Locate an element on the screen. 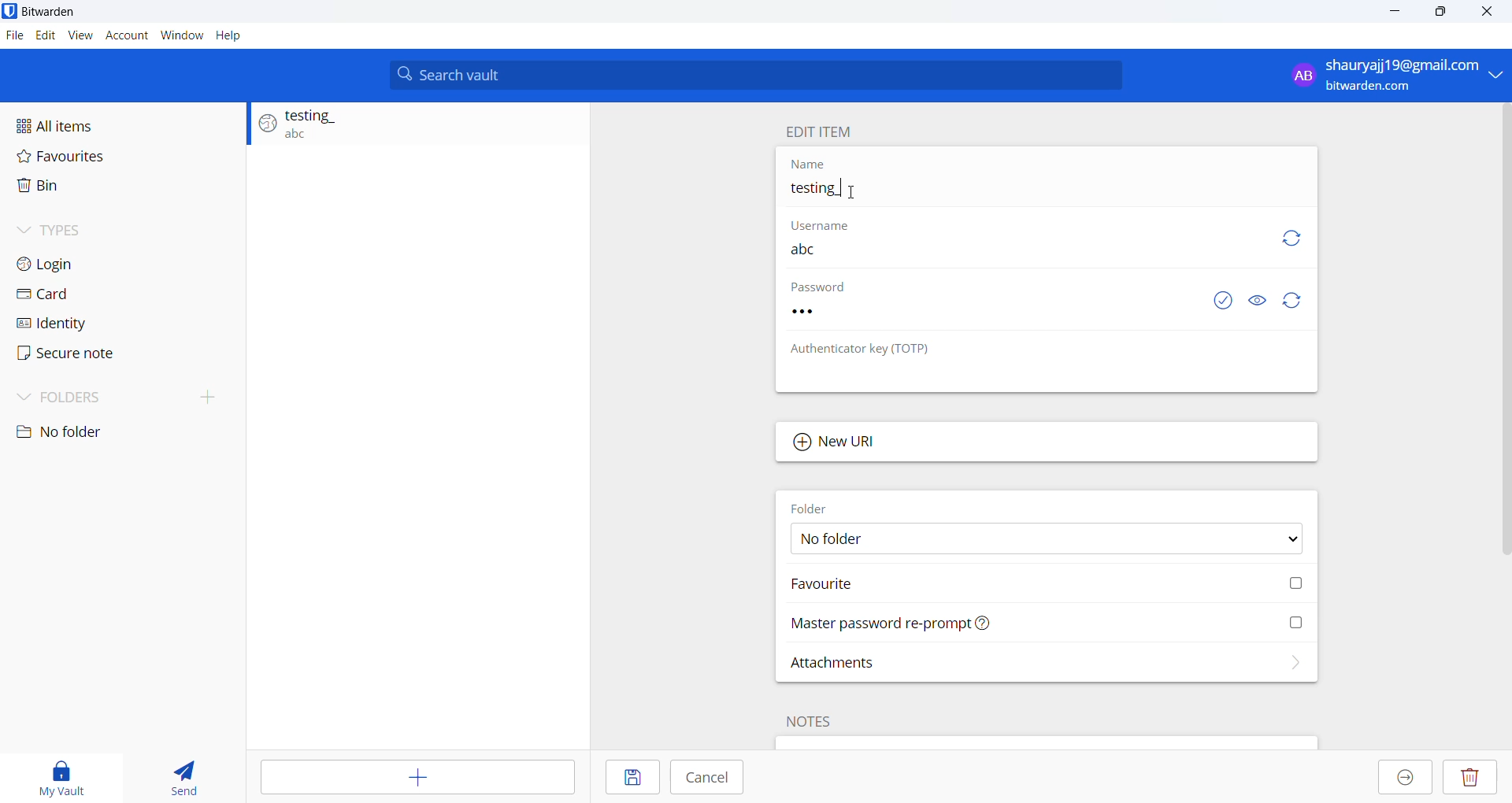 The height and width of the screenshot is (803, 1512). Folders is located at coordinates (84, 398).